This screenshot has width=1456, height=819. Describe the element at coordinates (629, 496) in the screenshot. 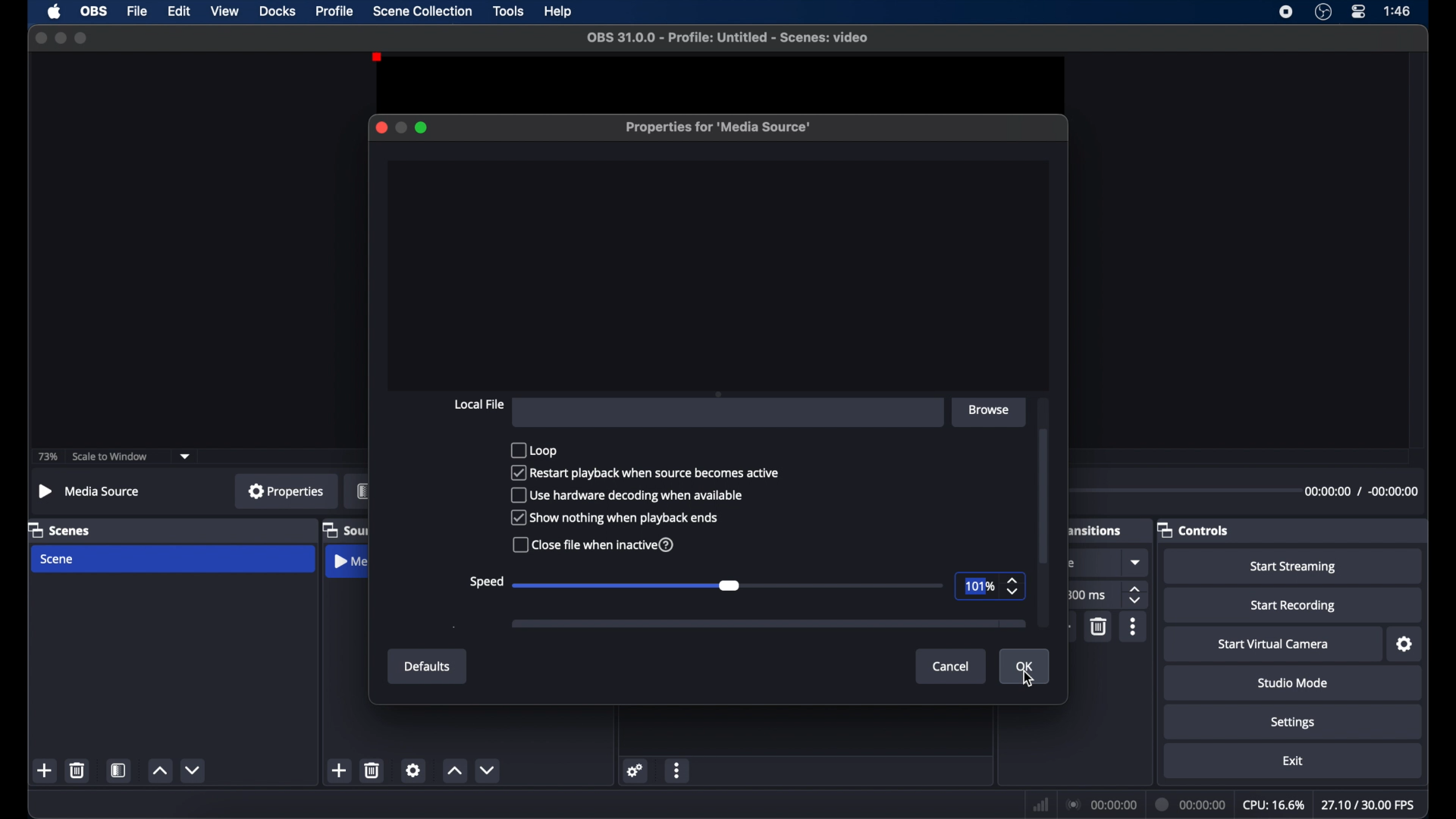

I see `use hardware decoding when available` at that location.